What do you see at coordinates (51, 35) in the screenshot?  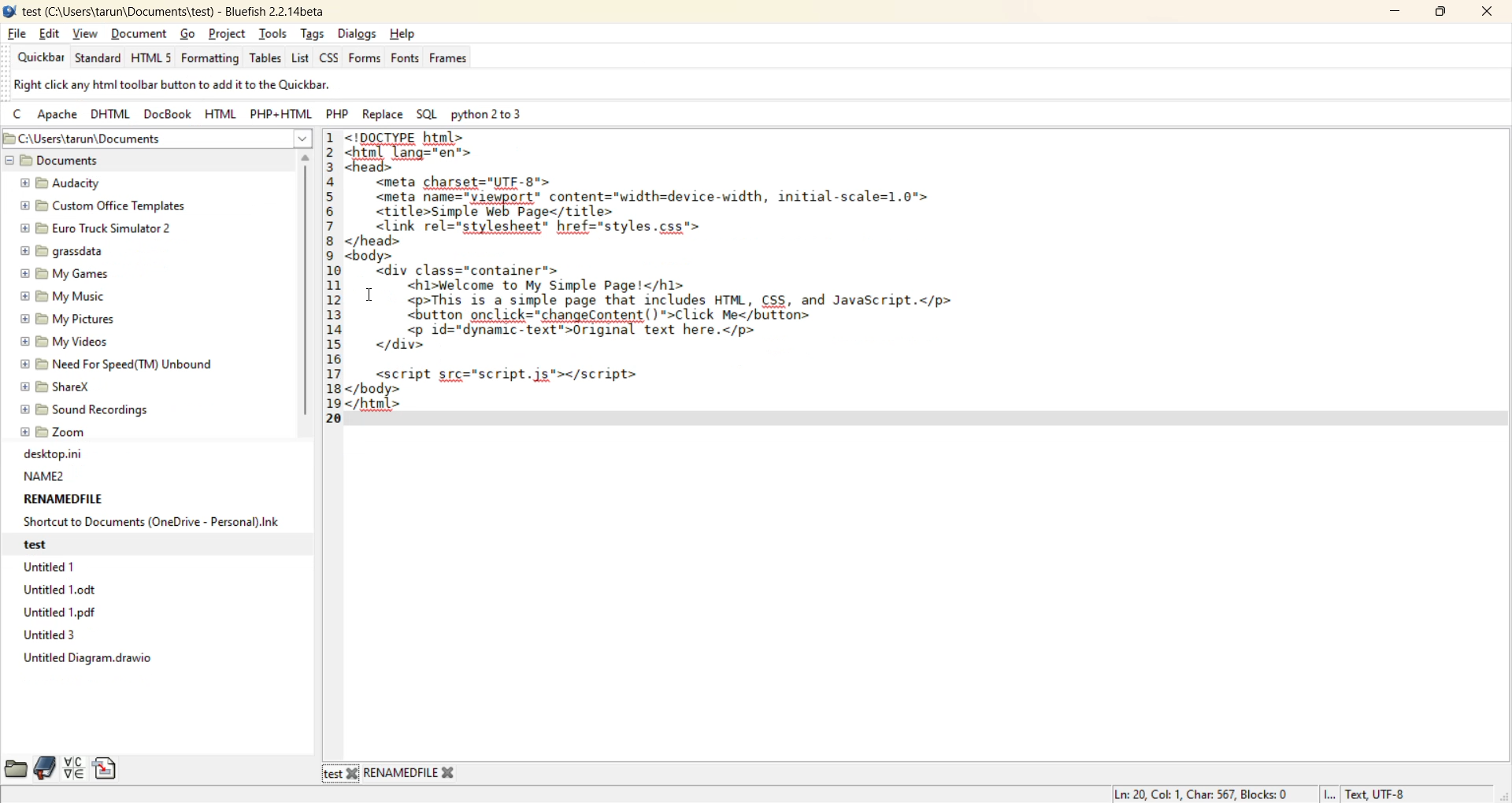 I see `edit` at bounding box center [51, 35].